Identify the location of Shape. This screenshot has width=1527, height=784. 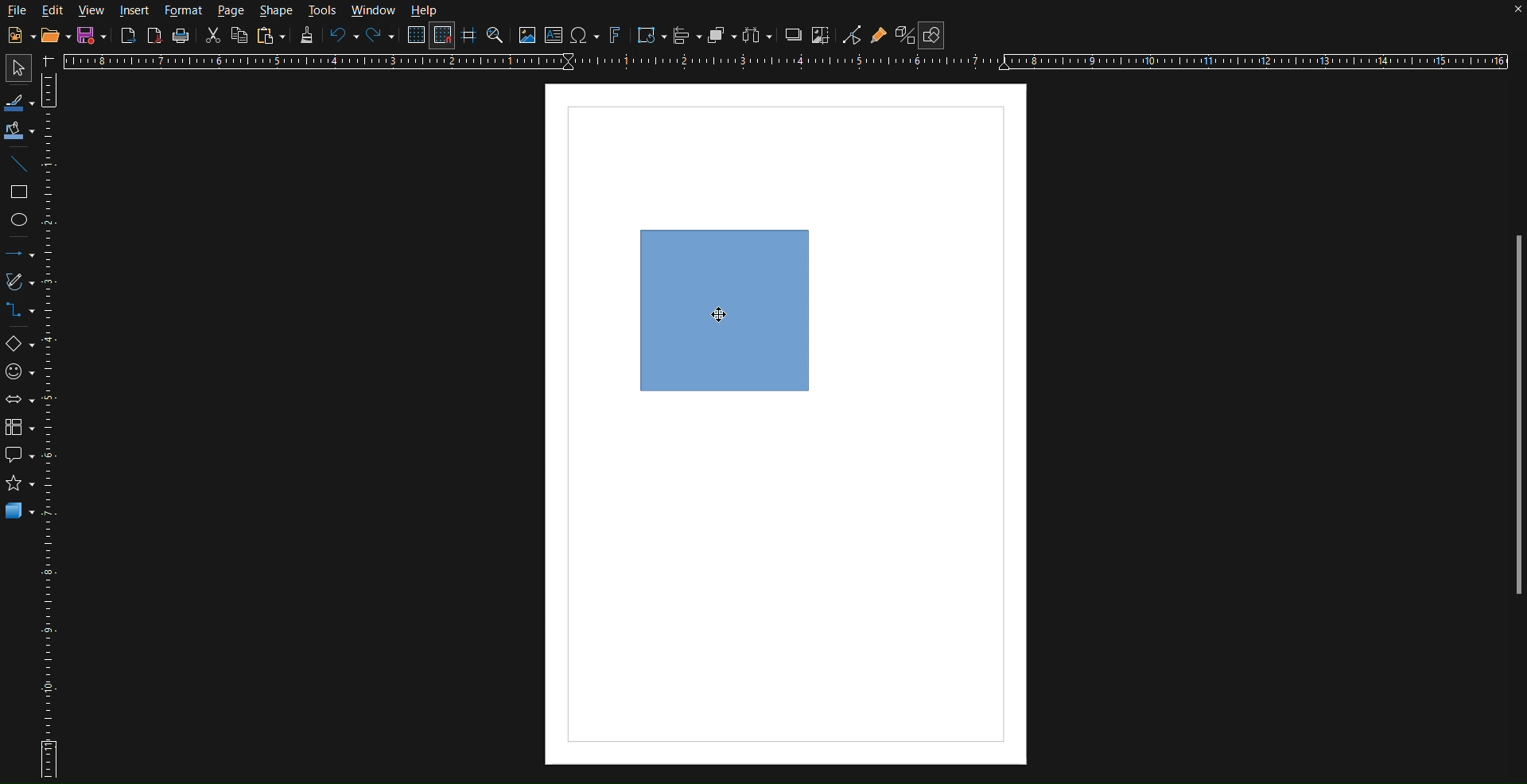
(278, 11).